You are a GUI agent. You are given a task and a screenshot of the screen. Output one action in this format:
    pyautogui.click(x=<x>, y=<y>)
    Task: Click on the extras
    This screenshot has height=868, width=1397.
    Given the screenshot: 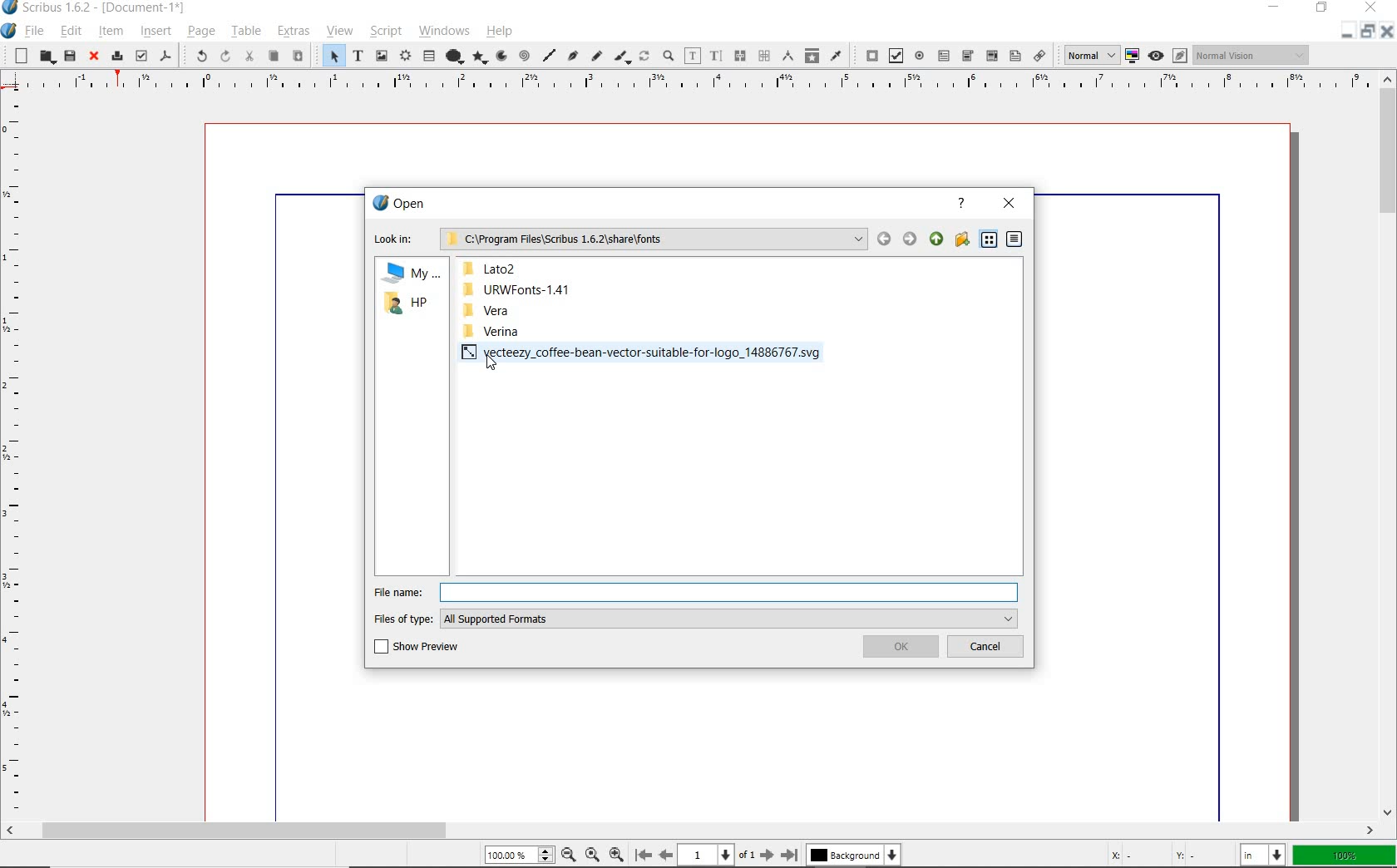 What is the action you would take?
    pyautogui.click(x=293, y=31)
    